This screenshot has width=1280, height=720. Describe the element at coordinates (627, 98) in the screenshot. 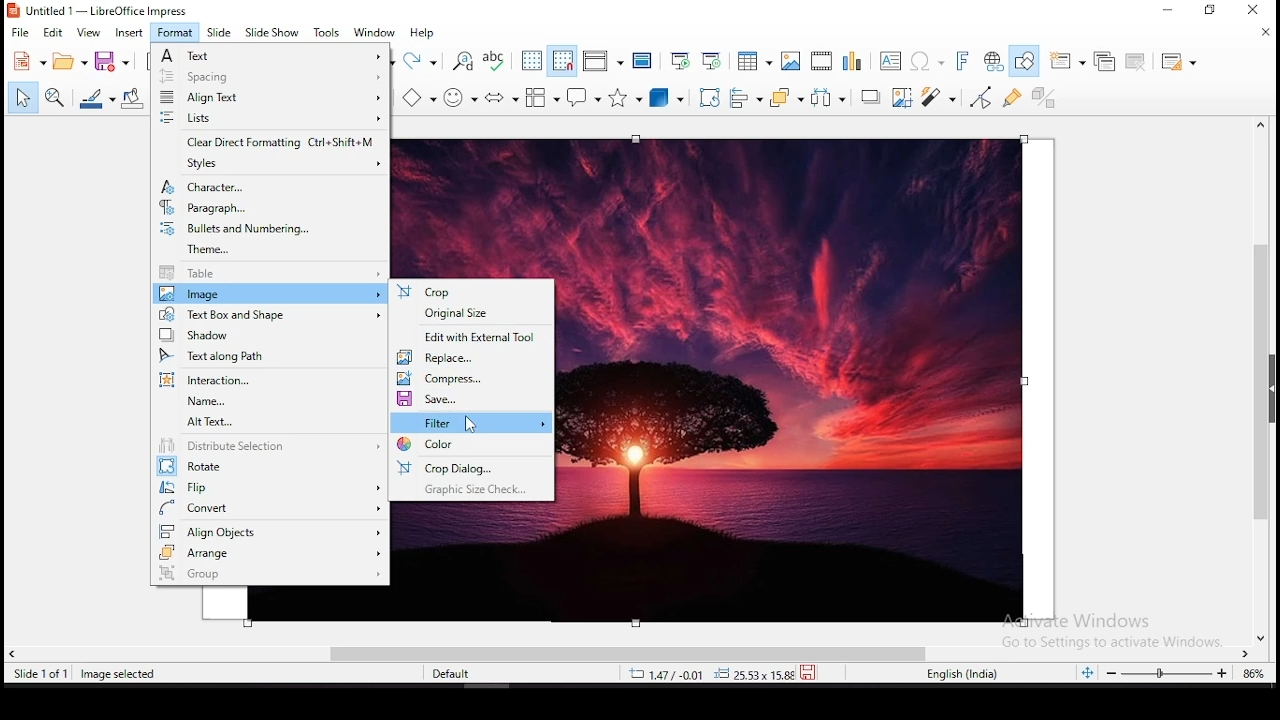

I see `stars and banners` at that location.